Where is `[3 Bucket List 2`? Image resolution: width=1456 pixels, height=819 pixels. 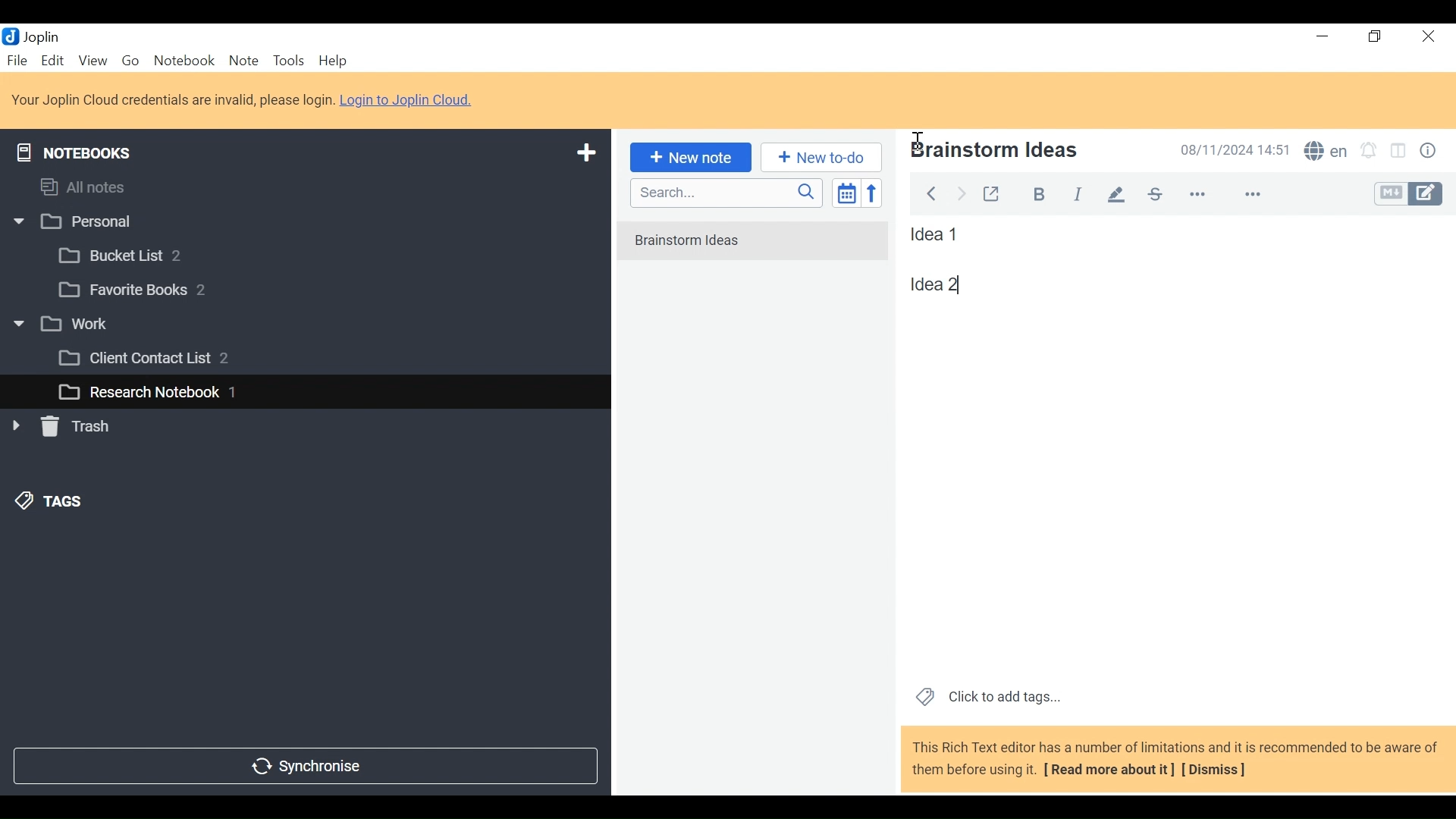
[3 Bucket List 2 is located at coordinates (149, 254).